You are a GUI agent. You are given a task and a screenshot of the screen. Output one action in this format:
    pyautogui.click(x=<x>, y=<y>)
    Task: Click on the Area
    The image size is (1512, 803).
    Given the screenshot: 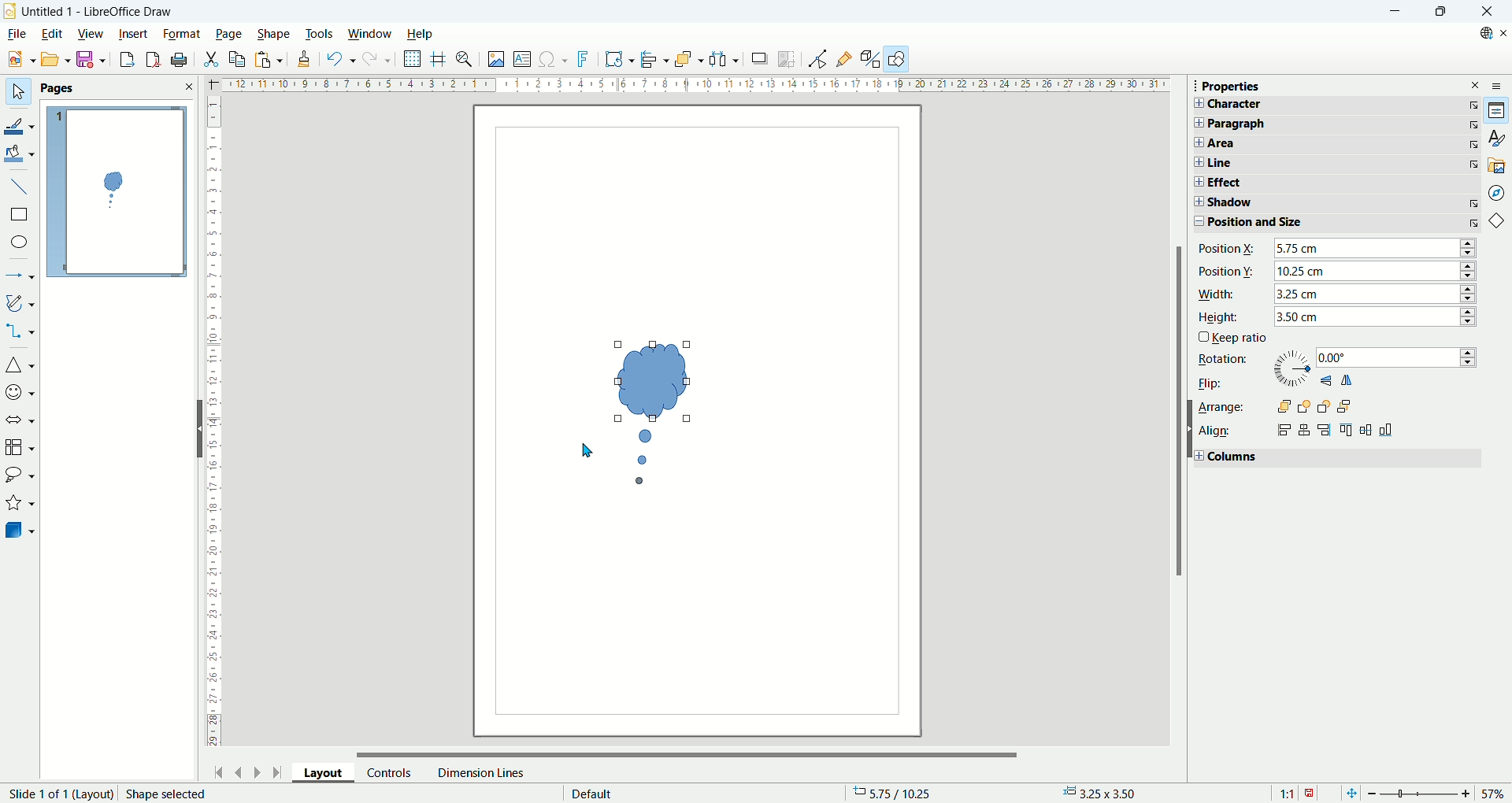 What is the action you would take?
    pyautogui.click(x=1277, y=143)
    